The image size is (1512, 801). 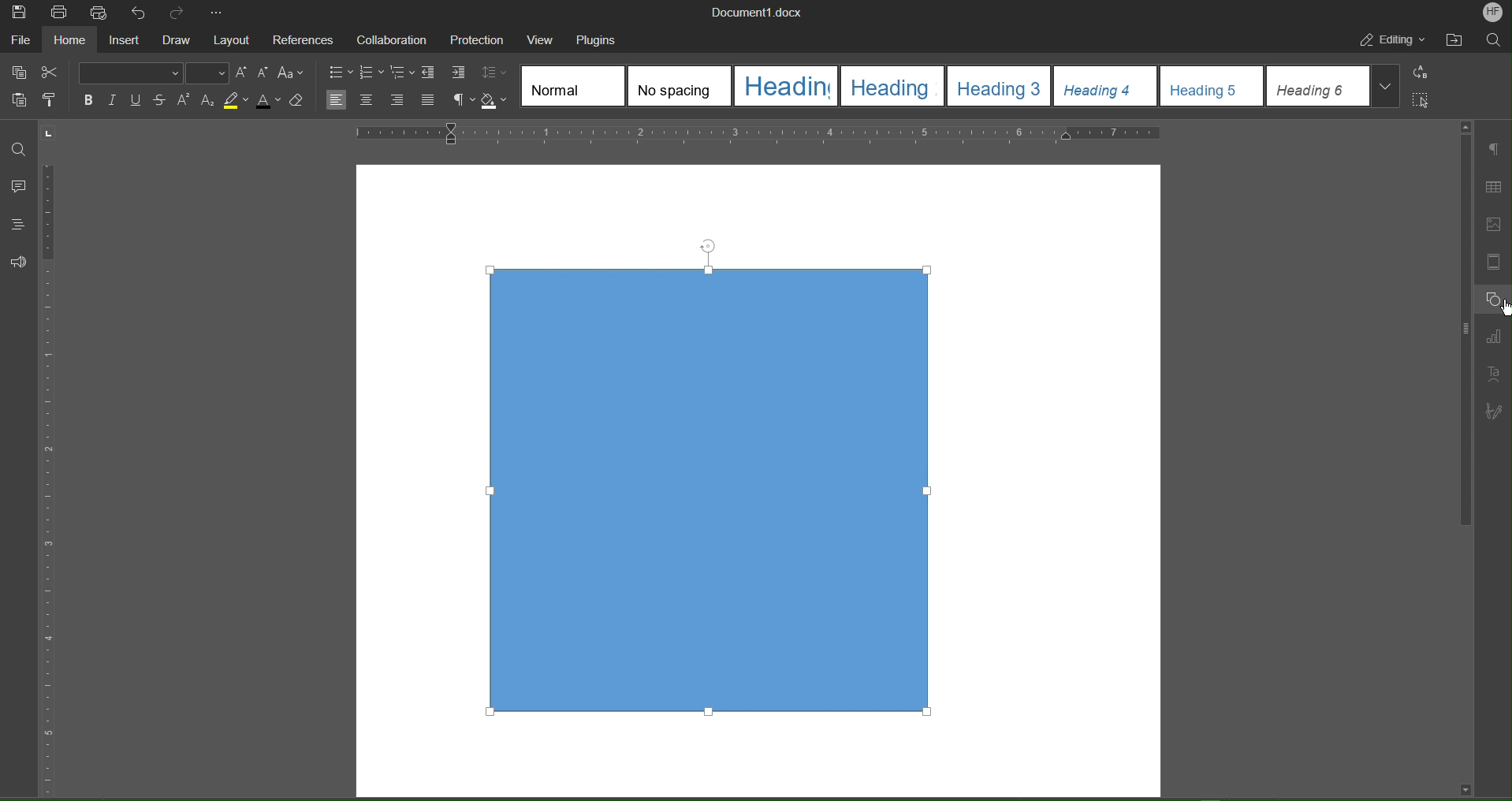 What do you see at coordinates (482, 39) in the screenshot?
I see `` at bounding box center [482, 39].